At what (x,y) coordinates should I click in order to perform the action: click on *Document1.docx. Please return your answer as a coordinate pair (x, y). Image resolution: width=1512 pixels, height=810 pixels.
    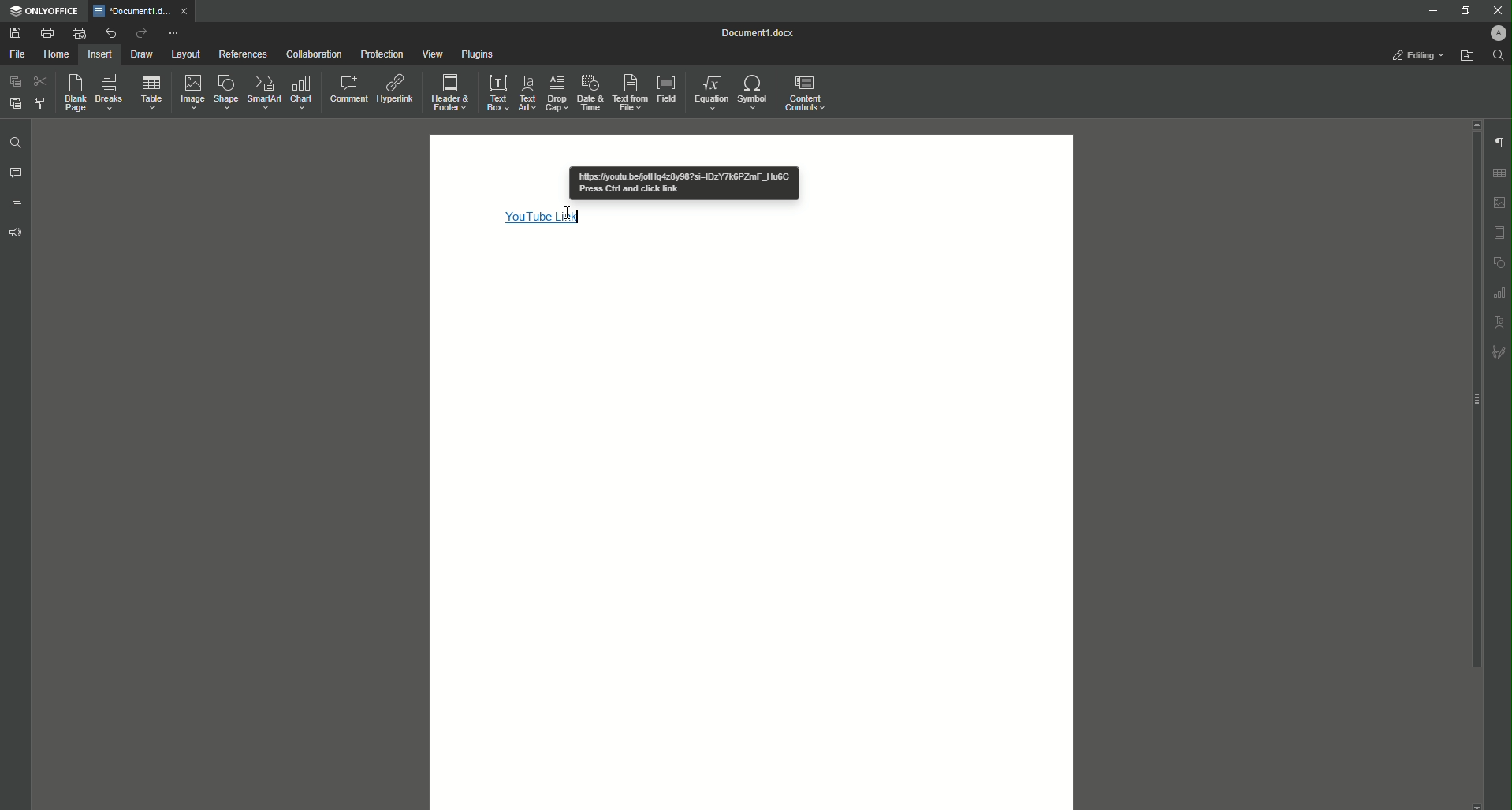
    Looking at the image, I should click on (131, 11).